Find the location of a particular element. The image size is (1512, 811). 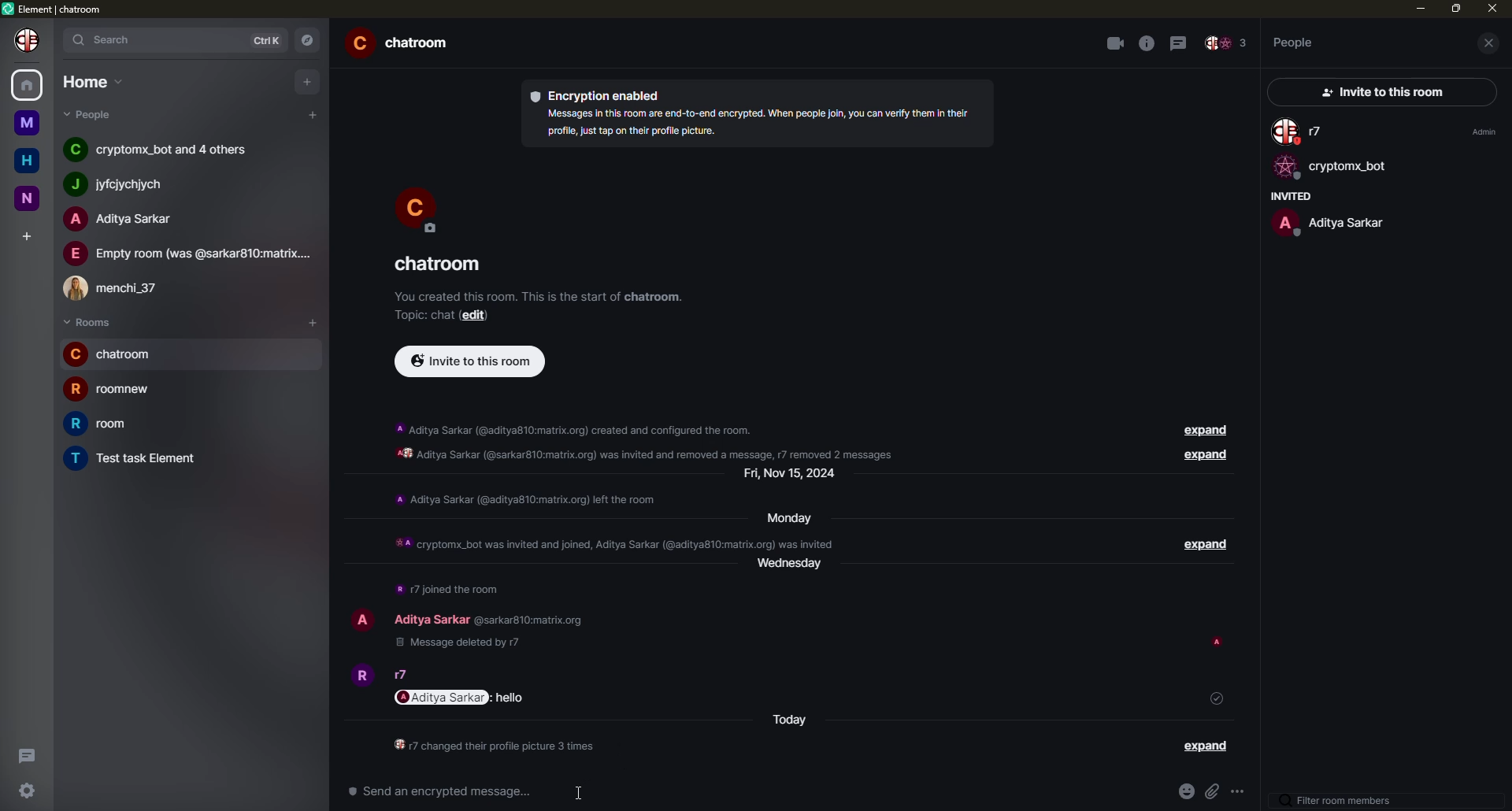

day is located at coordinates (784, 517).